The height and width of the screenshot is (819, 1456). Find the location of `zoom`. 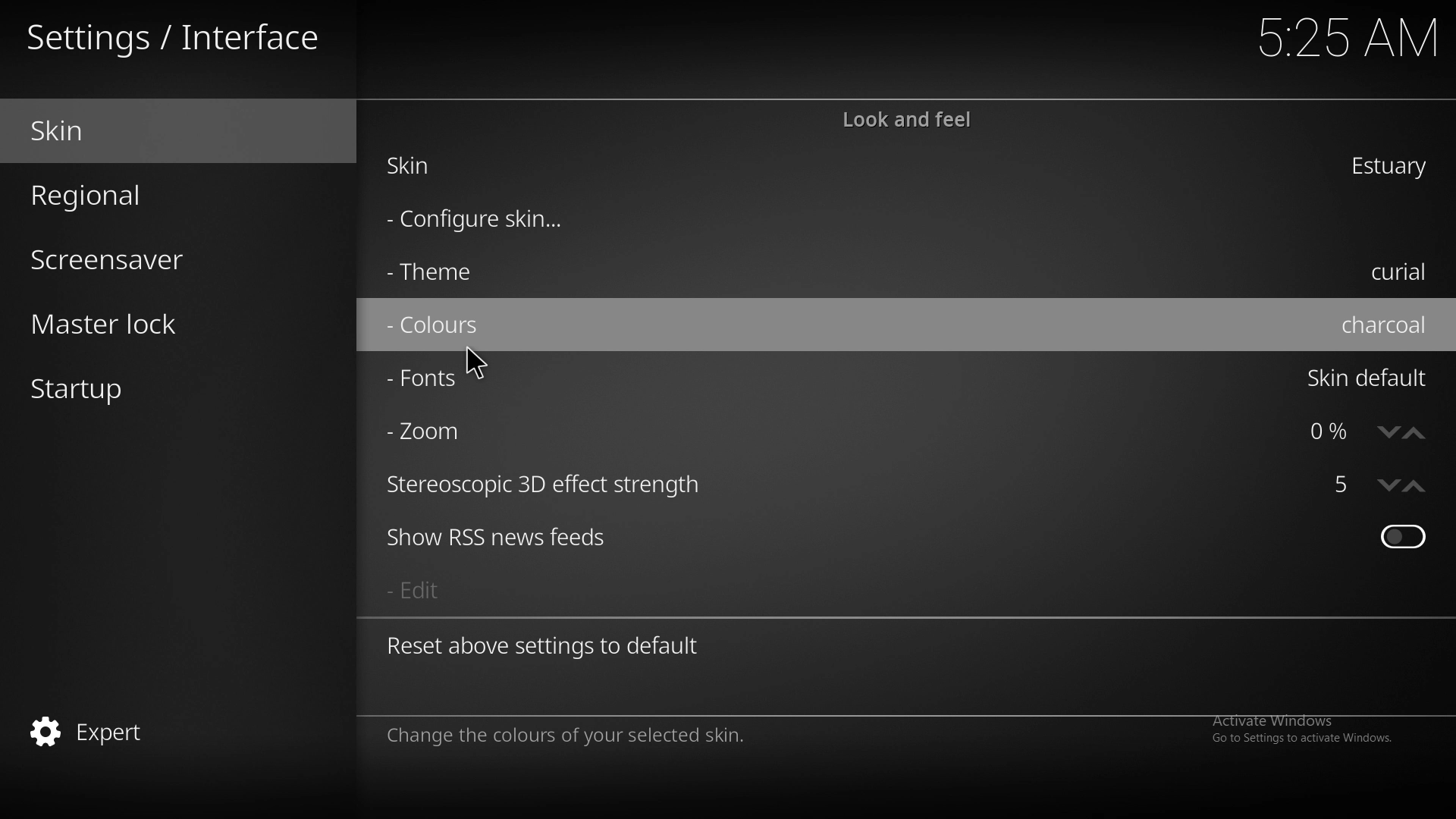

zoom is located at coordinates (1330, 431).